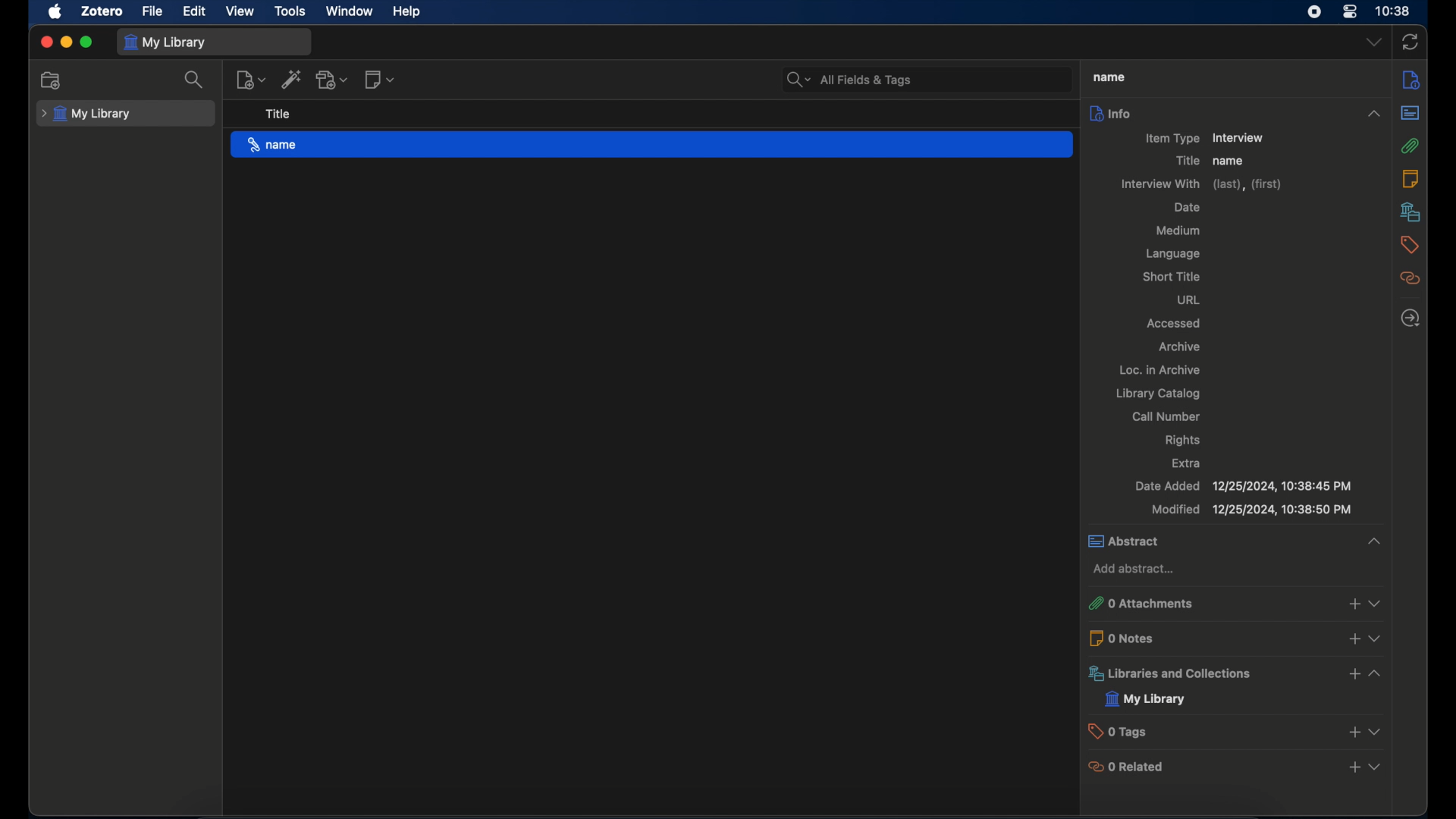 Image resolution: width=1456 pixels, height=819 pixels. Describe the element at coordinates (1238, 113) in the screenshot. I see `info` at that location.